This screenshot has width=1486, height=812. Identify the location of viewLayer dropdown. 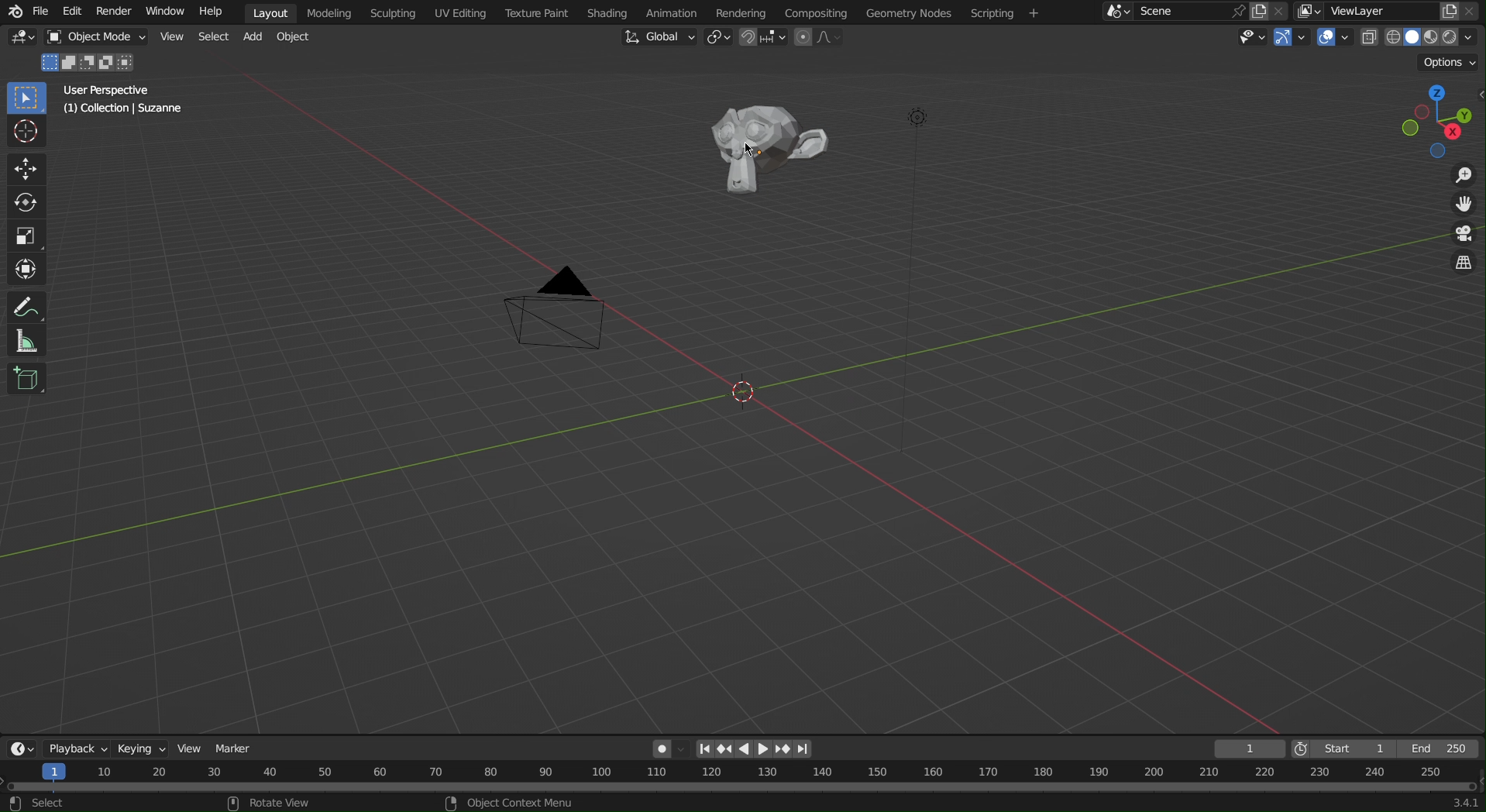
(1310, 12).